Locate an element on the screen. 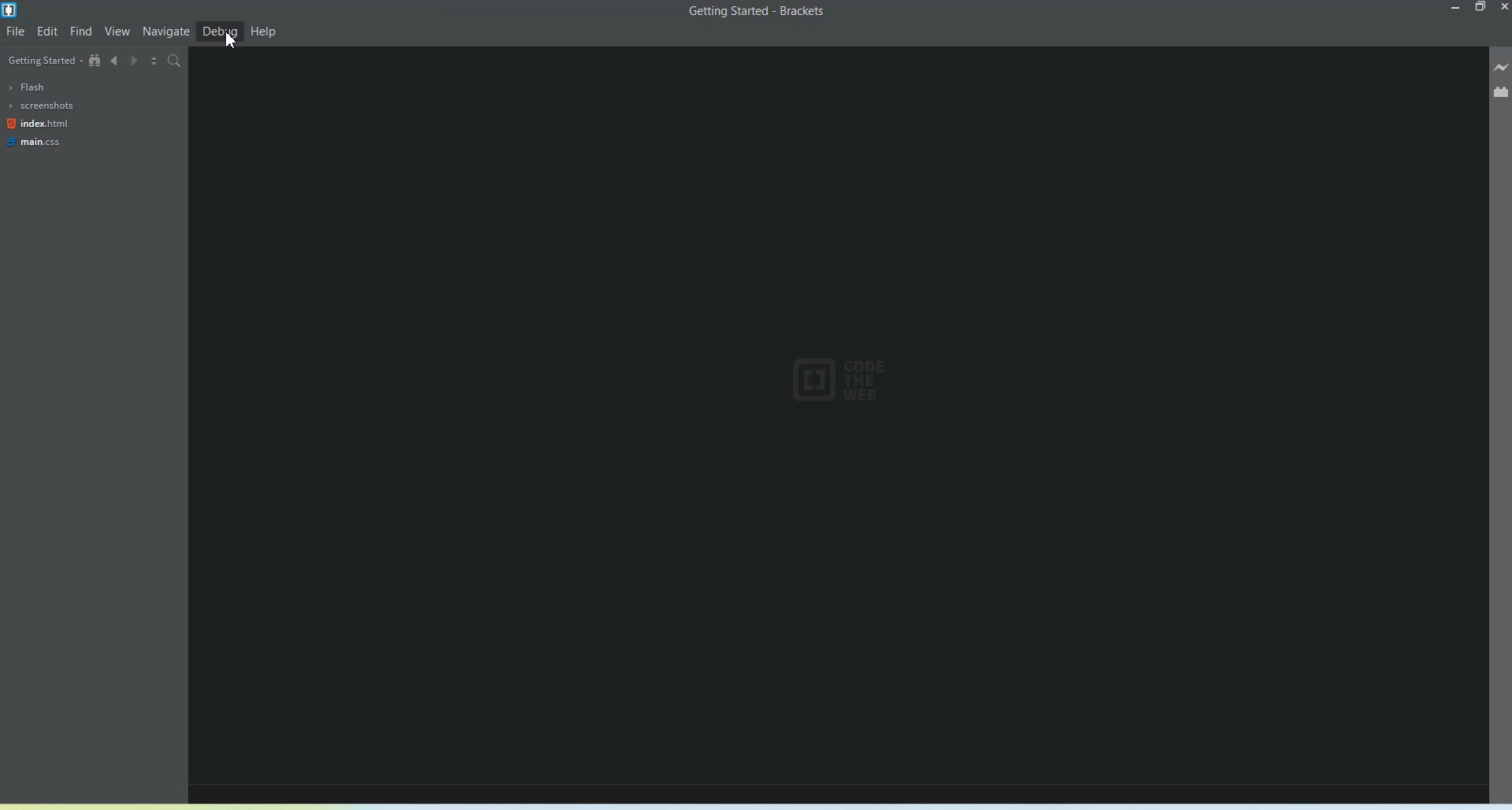 This screenshot has width=1512, height=810. Navigate Forwards is located at coordinates (135, 61).